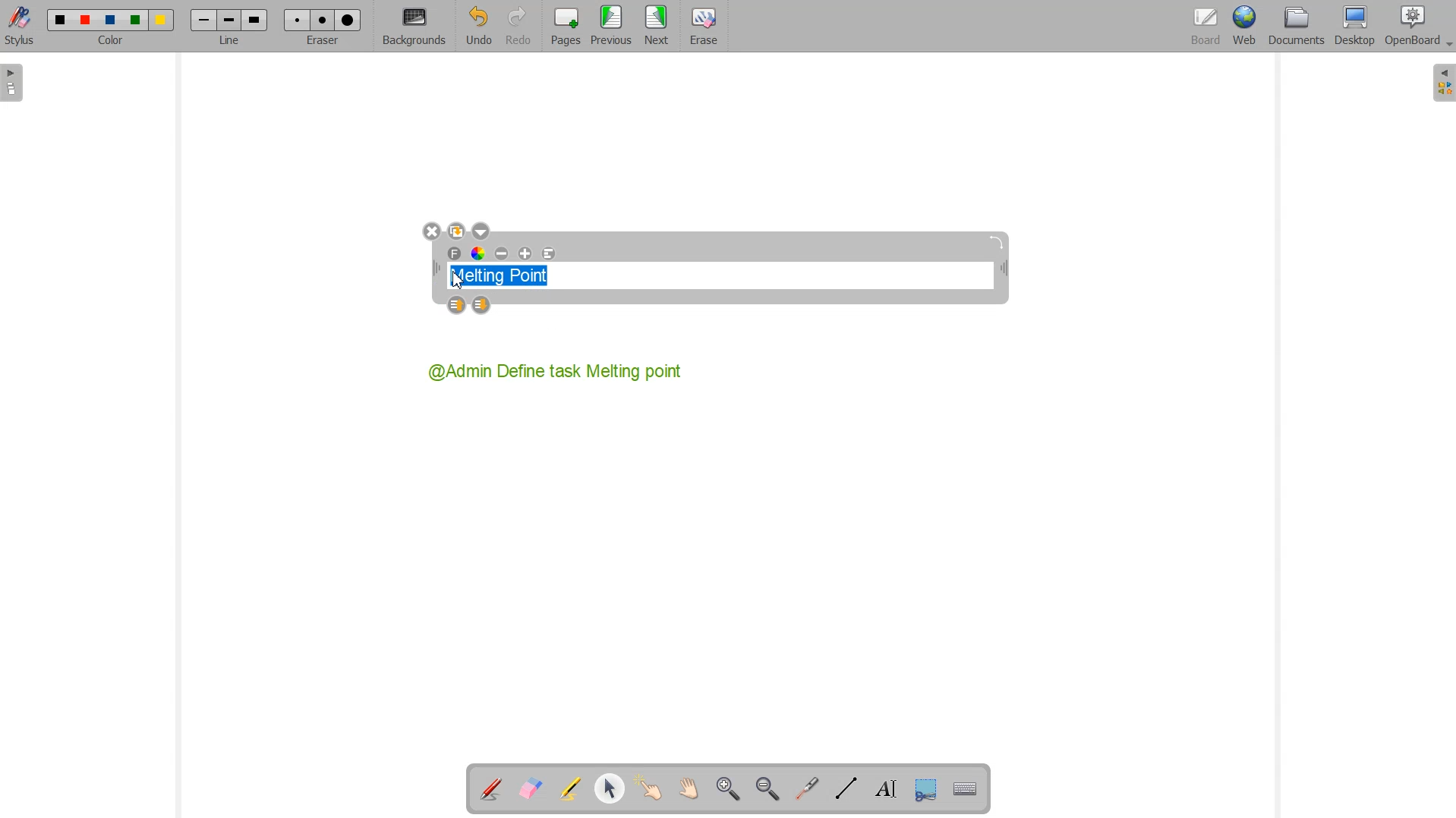 Image resolution: width=1456 pixels, height=818 pixels. What do you see at coordinates (572, 790) in the screenshot?
I see `Highlight` at bounding box center [572, 790].